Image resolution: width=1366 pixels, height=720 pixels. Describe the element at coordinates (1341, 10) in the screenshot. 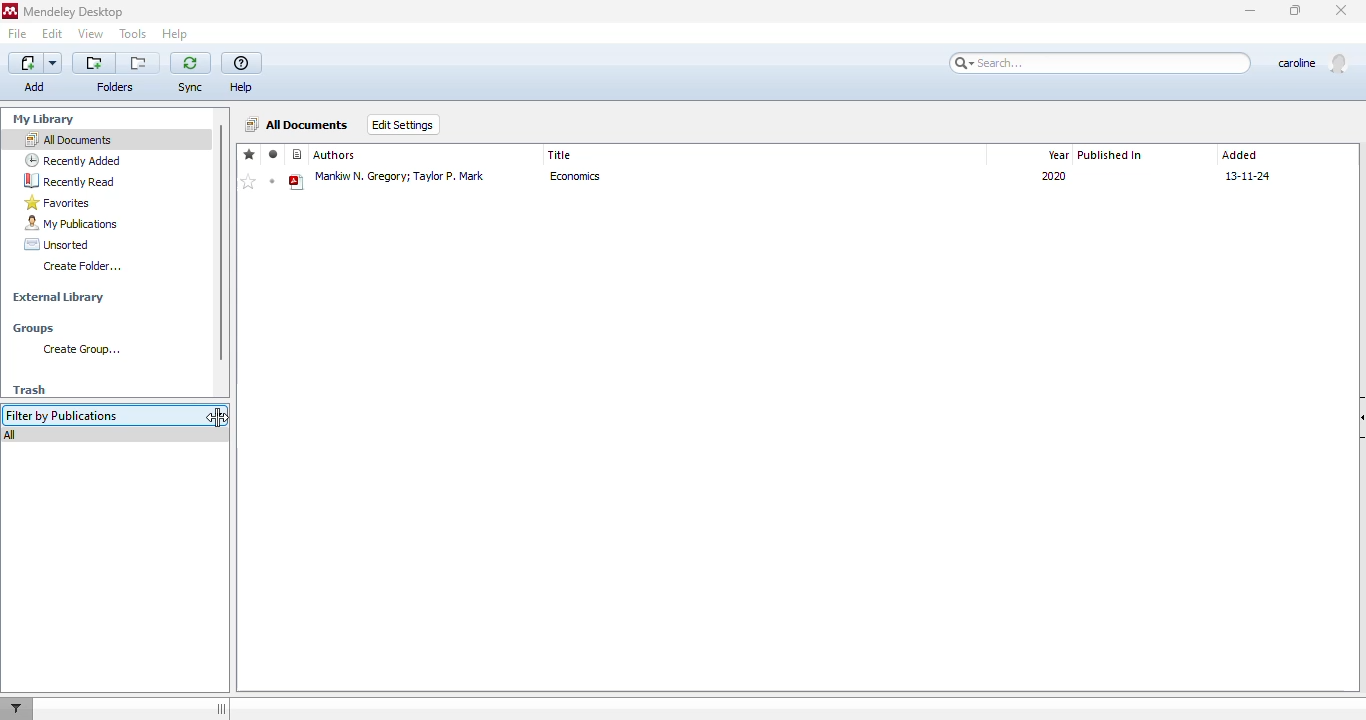

I see `close` at that location.